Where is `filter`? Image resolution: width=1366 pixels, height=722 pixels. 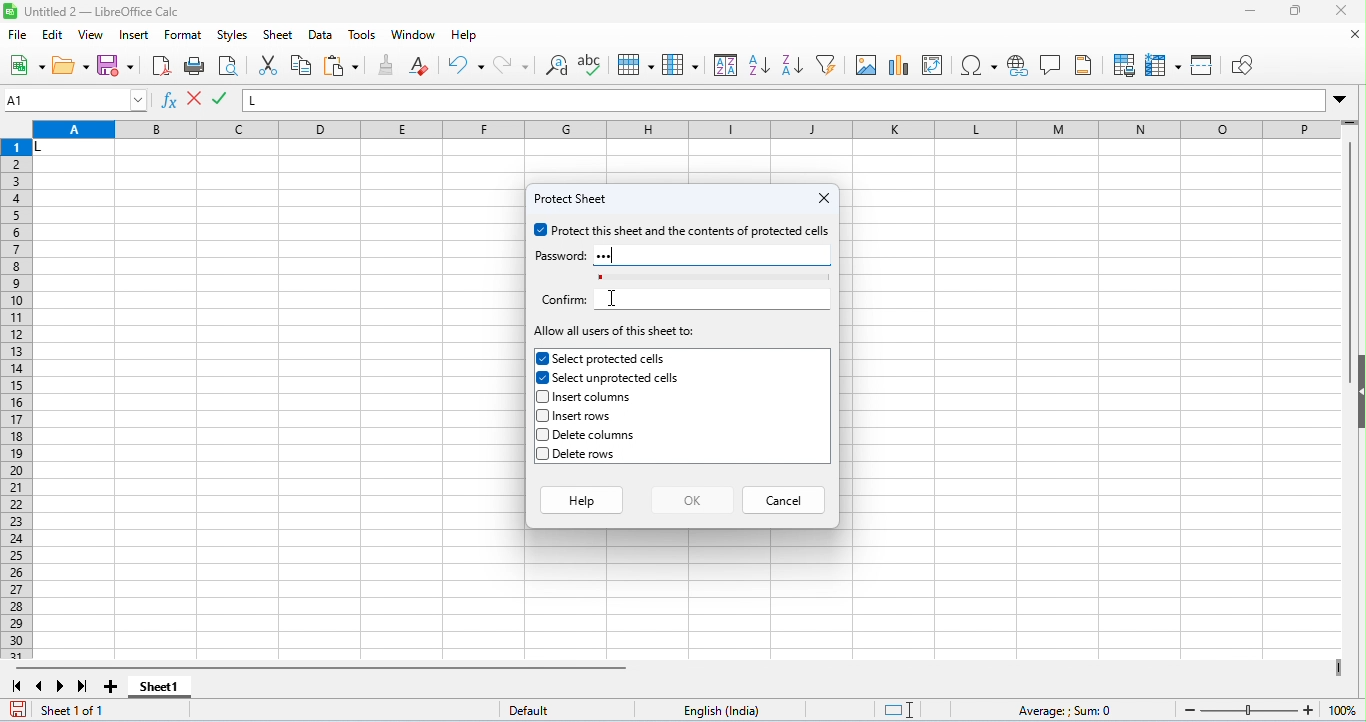
filter is located at coordinates (827, 64).